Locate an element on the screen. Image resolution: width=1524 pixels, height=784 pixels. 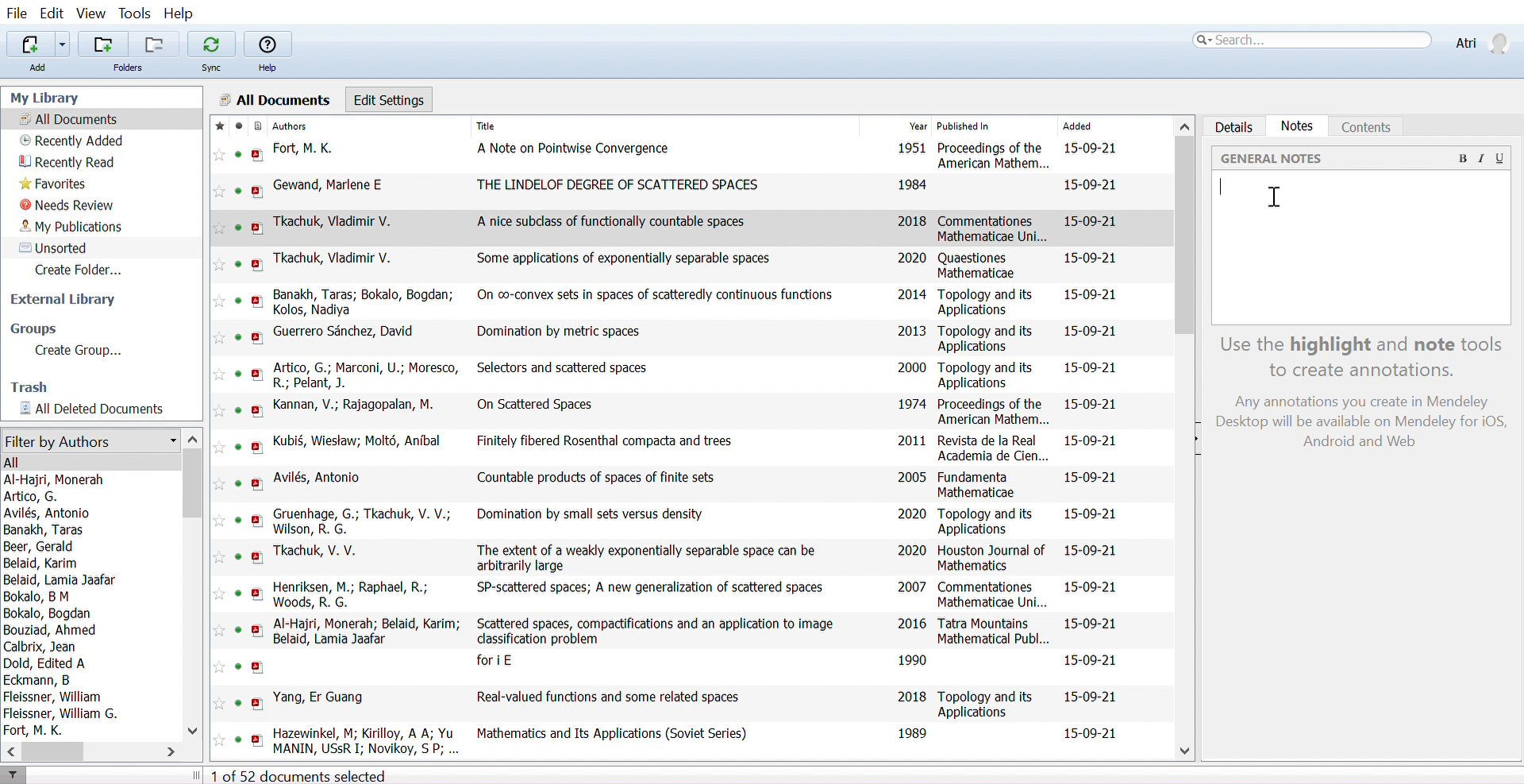
Italic is located at coordinates (6300, 653).